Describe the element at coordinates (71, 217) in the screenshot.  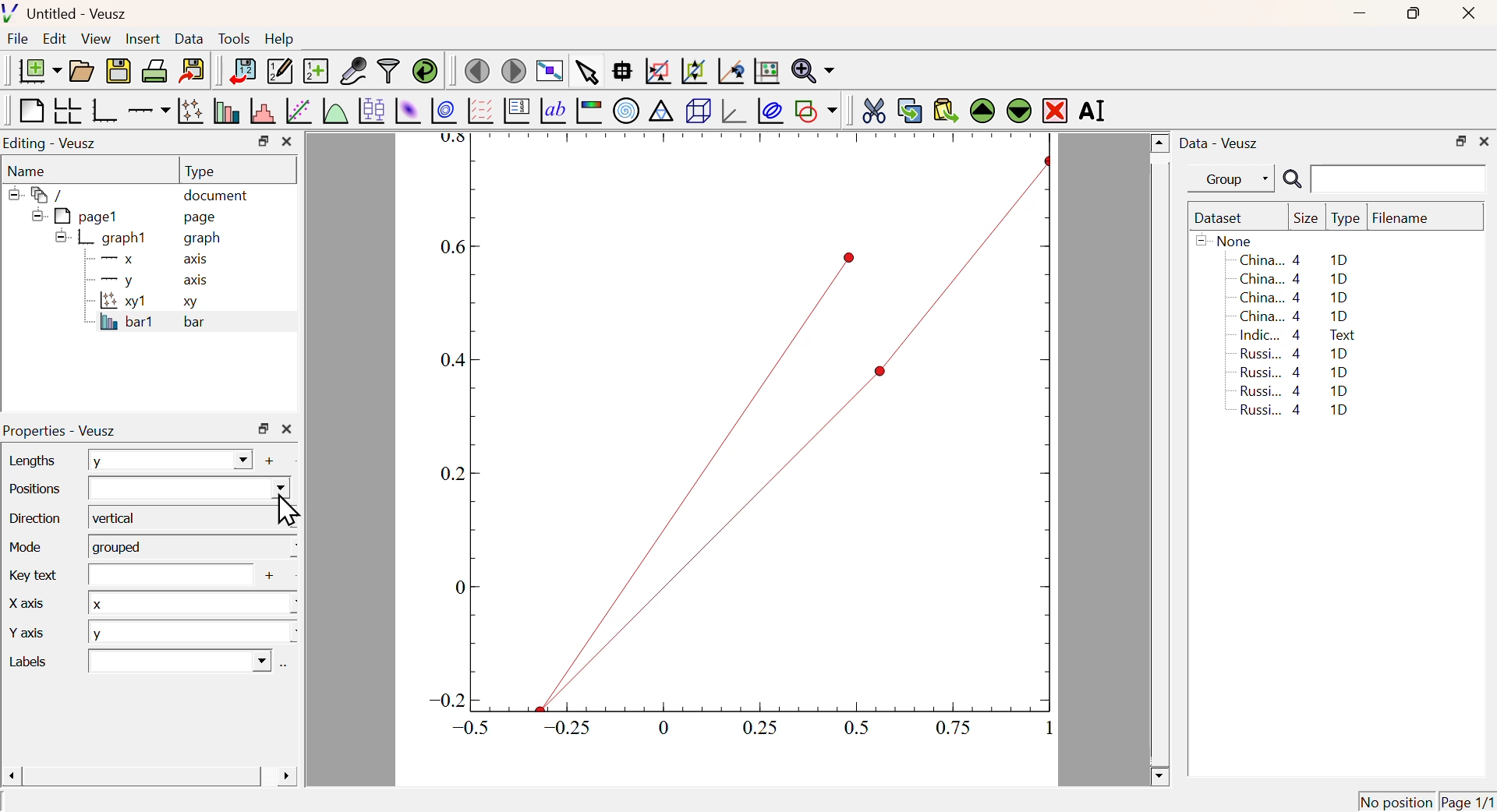
I see `pagel` at that location.